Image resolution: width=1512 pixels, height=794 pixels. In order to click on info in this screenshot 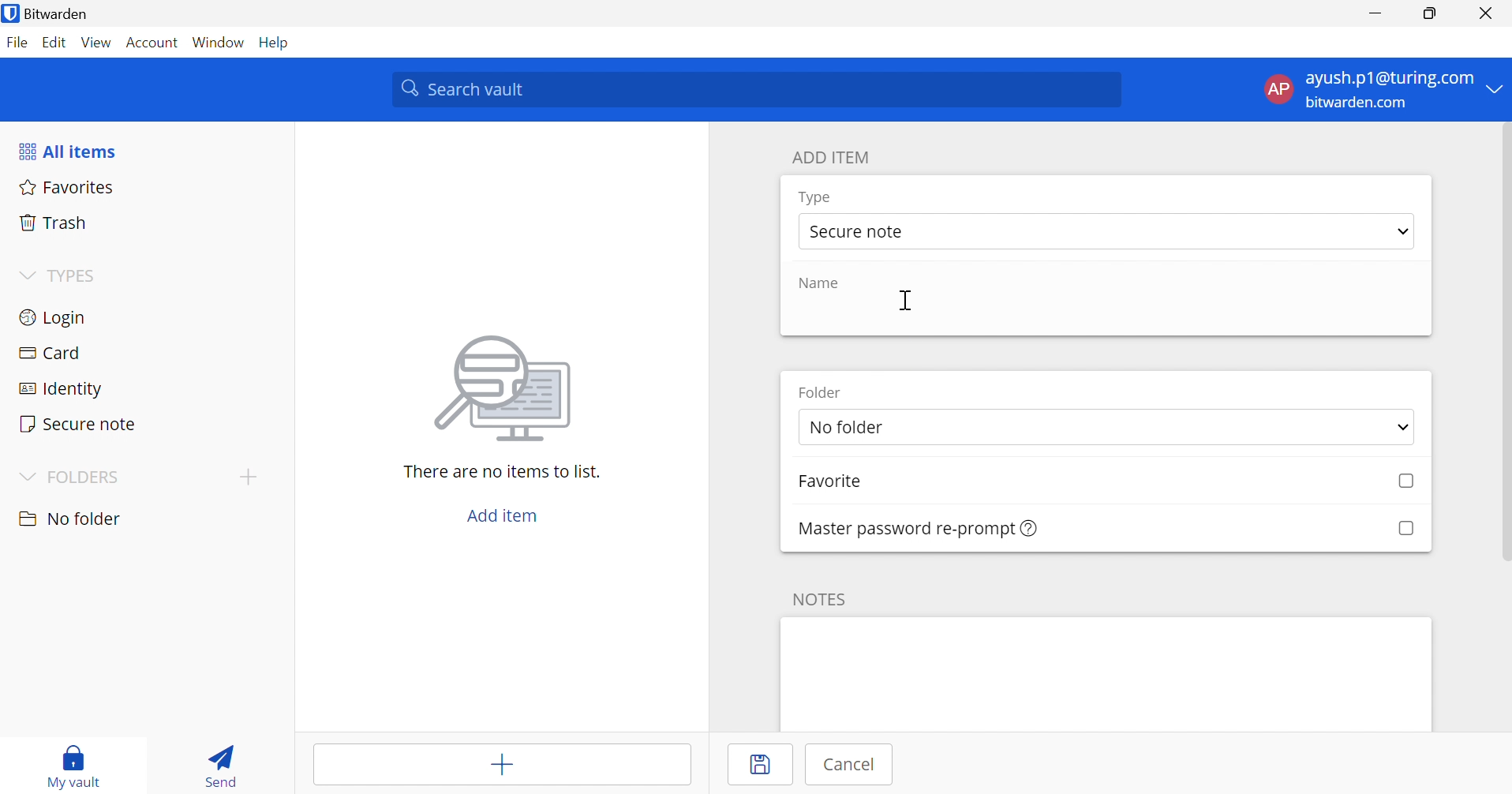, I will do `click(1030, 529)`.